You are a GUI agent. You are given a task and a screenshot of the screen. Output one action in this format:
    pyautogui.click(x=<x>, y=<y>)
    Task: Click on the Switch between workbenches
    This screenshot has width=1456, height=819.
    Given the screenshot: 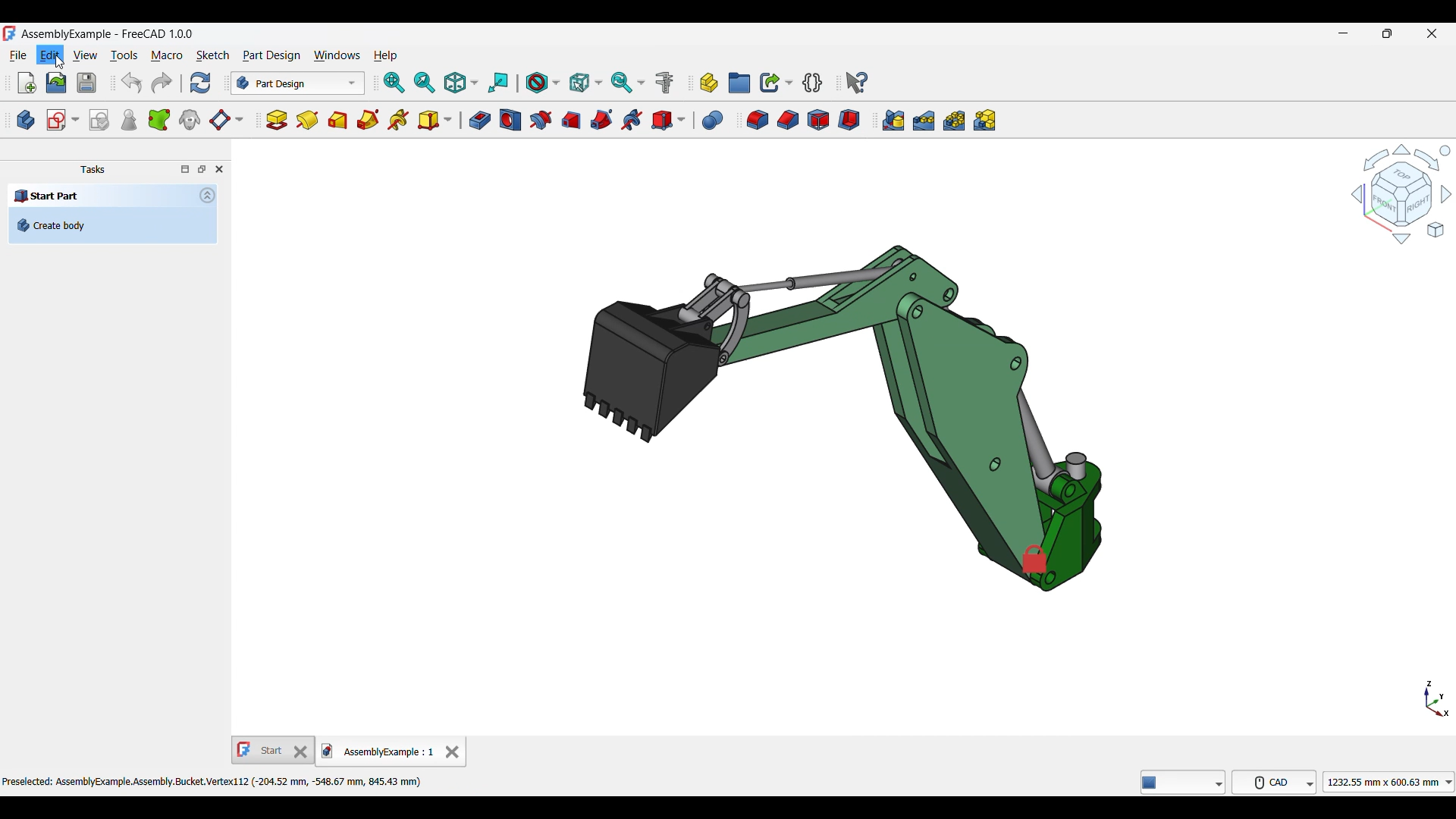 What is the action you would take?
    pyautogui.click(x=297, y=83)
    